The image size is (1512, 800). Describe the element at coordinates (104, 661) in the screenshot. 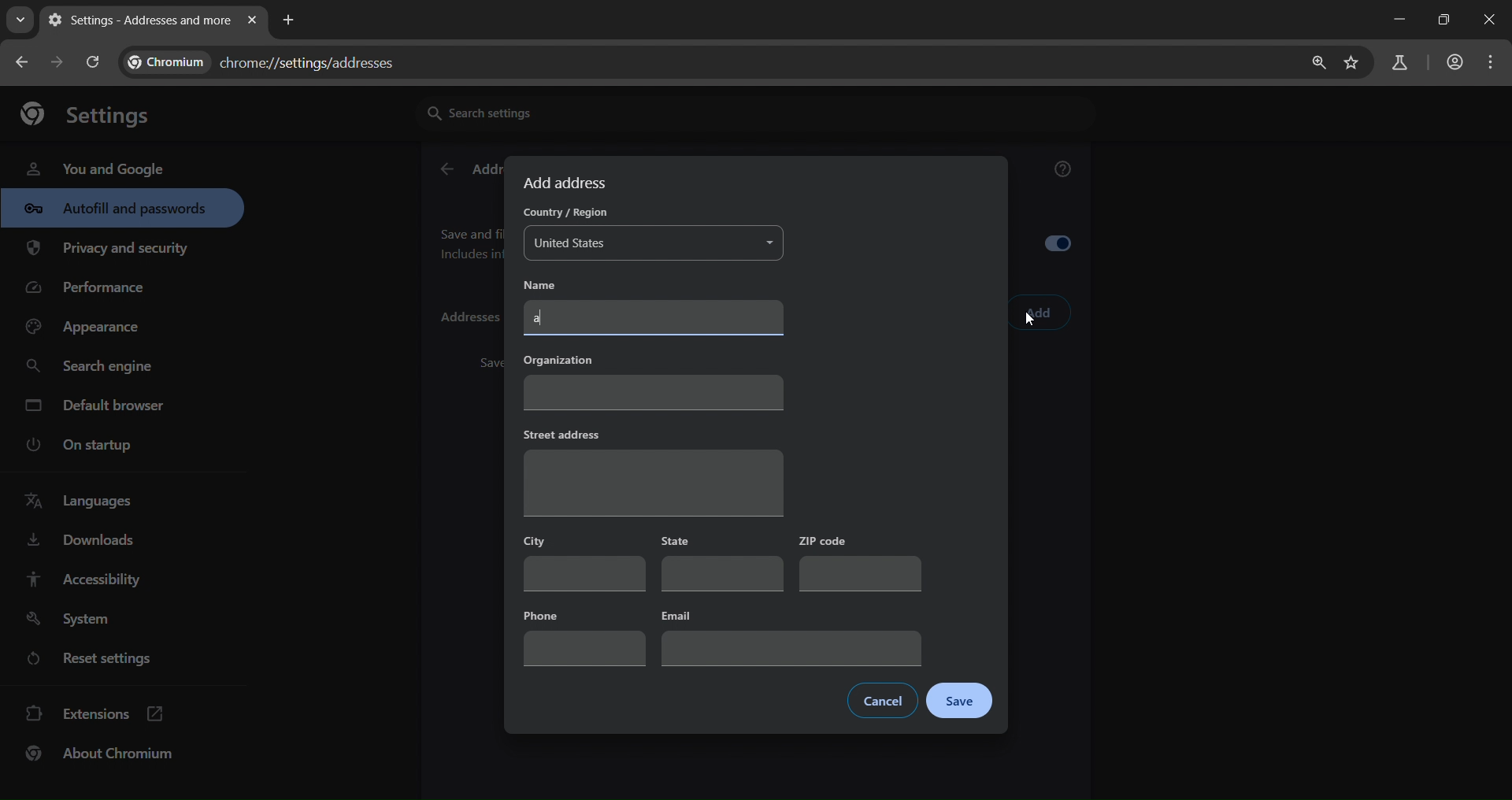

I see `reset settings` at that location.